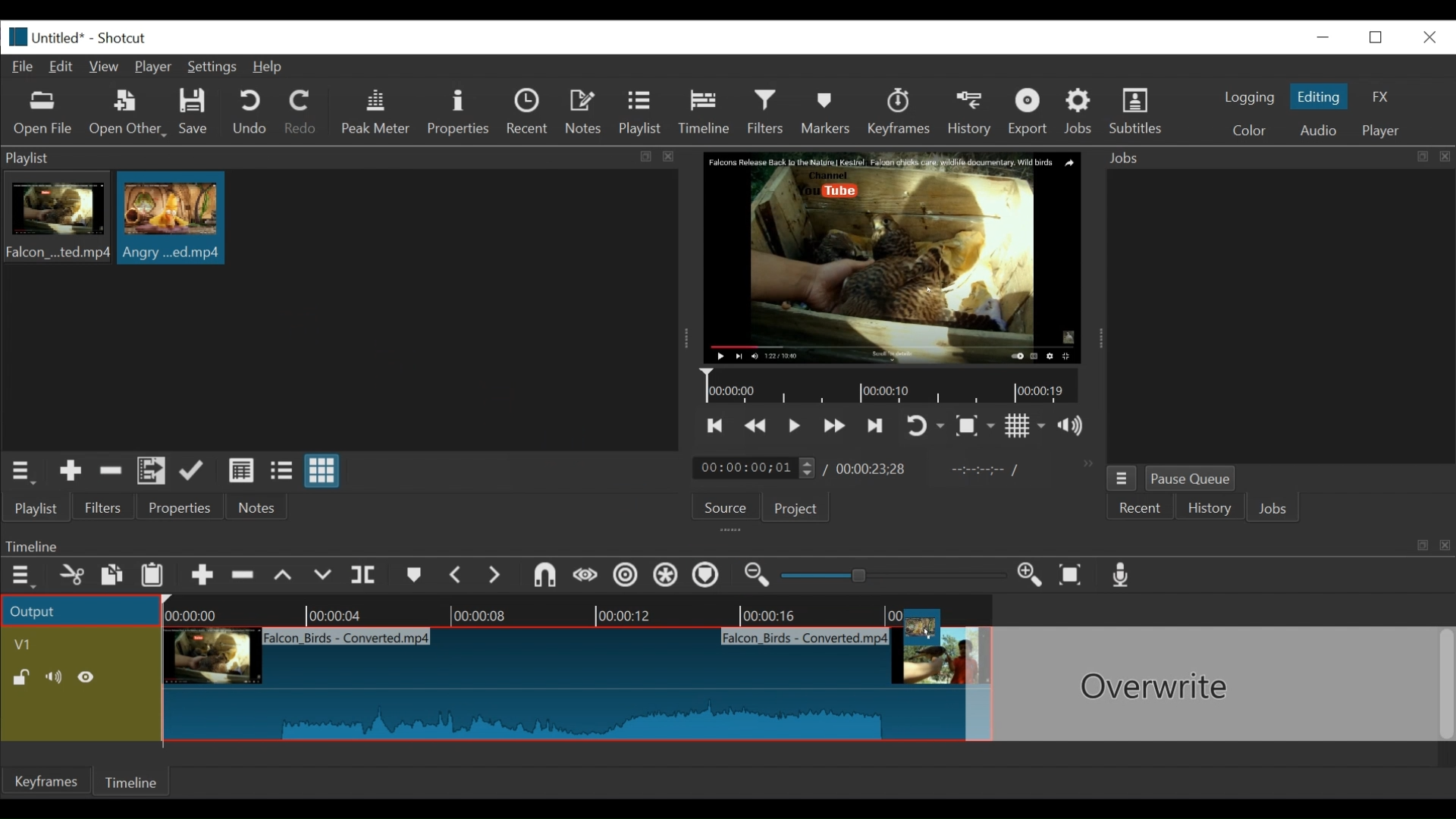 Image resolution: width=1456 pixels, height=819 pixels. What do you see at coordinates (1136, 111) in the screenshot?
I see `Subtitles` at bounding box center [1136, 111].